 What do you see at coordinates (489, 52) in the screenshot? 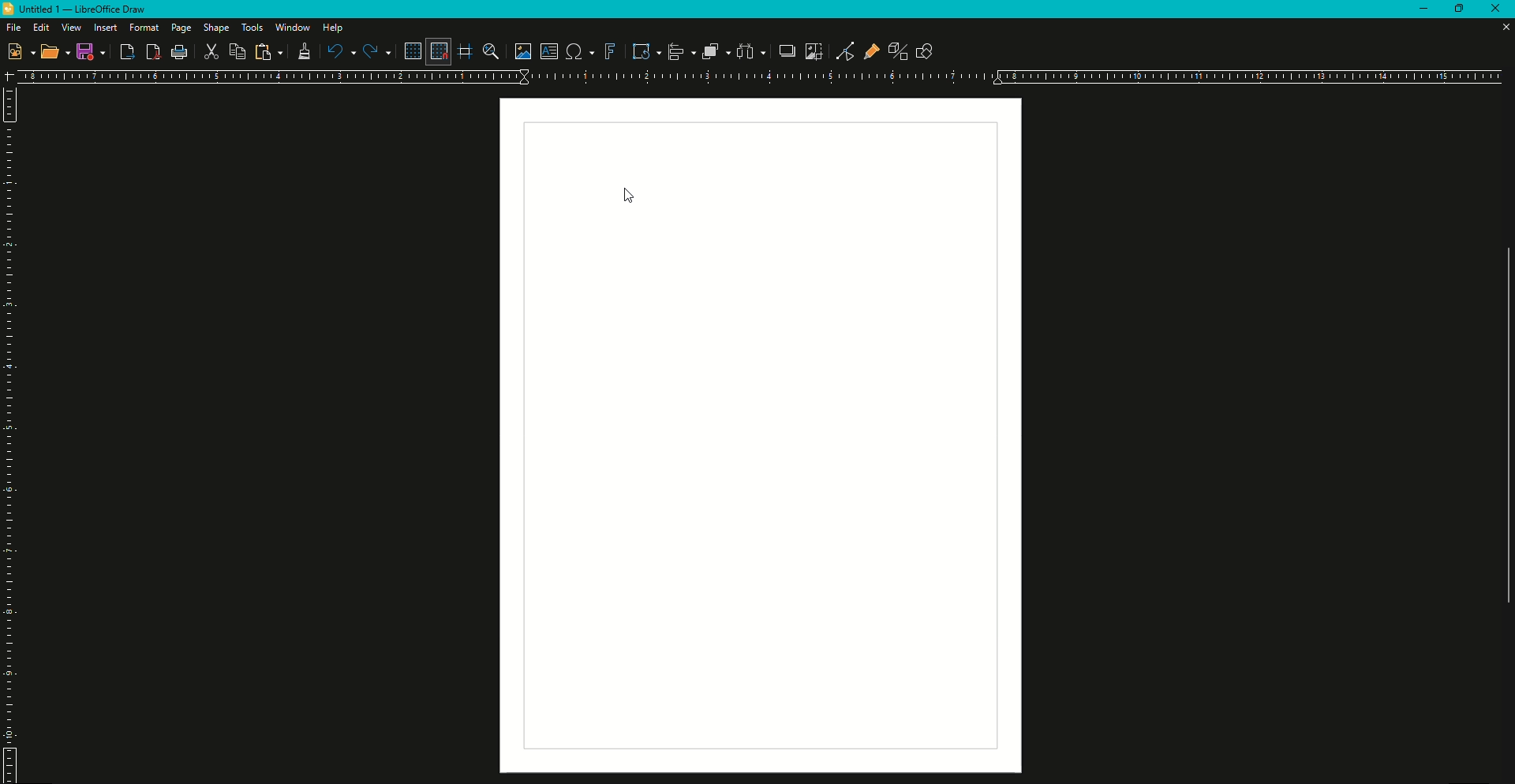
I see `Zoom and Pan` at bounding box center [489, 52].